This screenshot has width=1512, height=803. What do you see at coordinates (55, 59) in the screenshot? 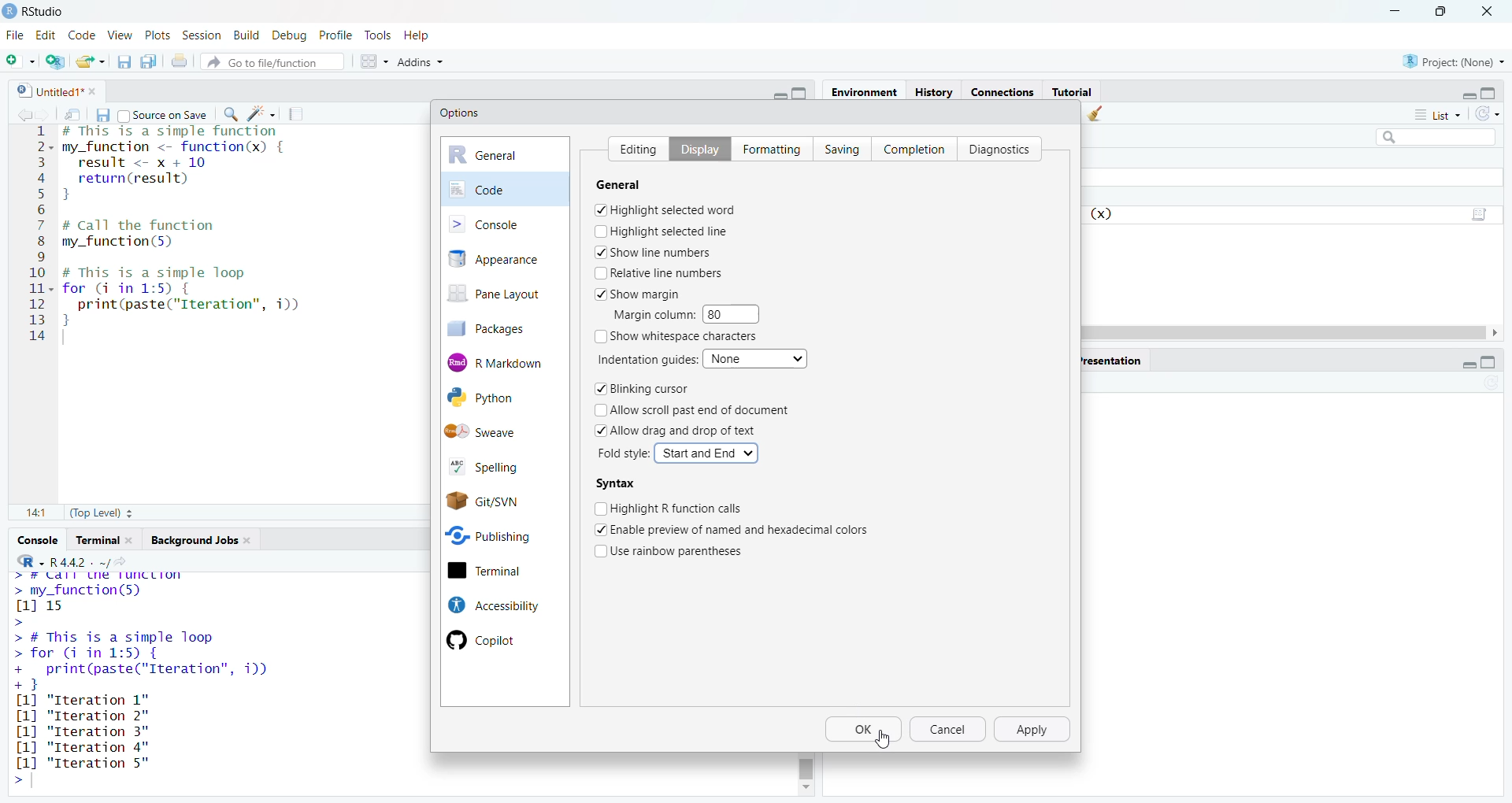
I see `create a project` at bounding box center [55, 59].